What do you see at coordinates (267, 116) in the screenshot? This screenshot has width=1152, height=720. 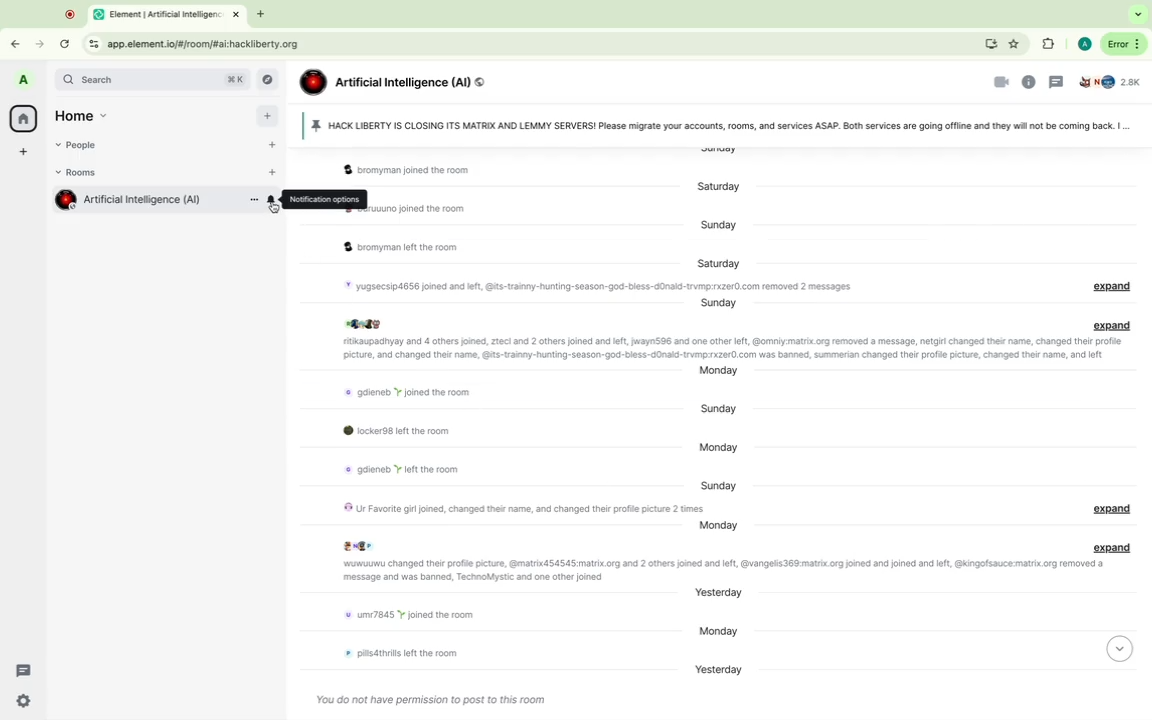 I see `Add` at bounding box center [267, 116].